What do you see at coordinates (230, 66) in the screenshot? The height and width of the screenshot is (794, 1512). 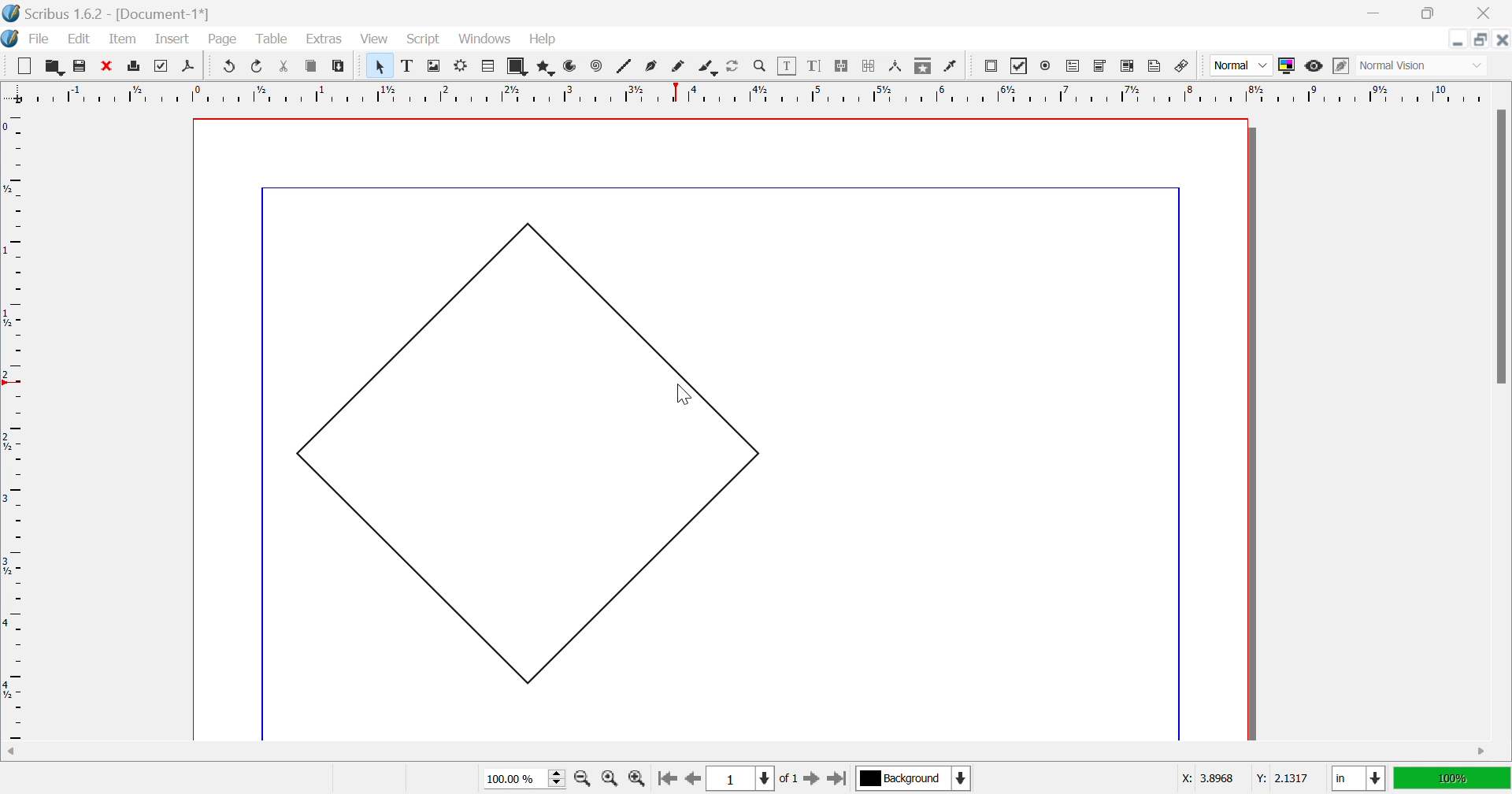 I see `Undo` at bounding box center [230, 66].